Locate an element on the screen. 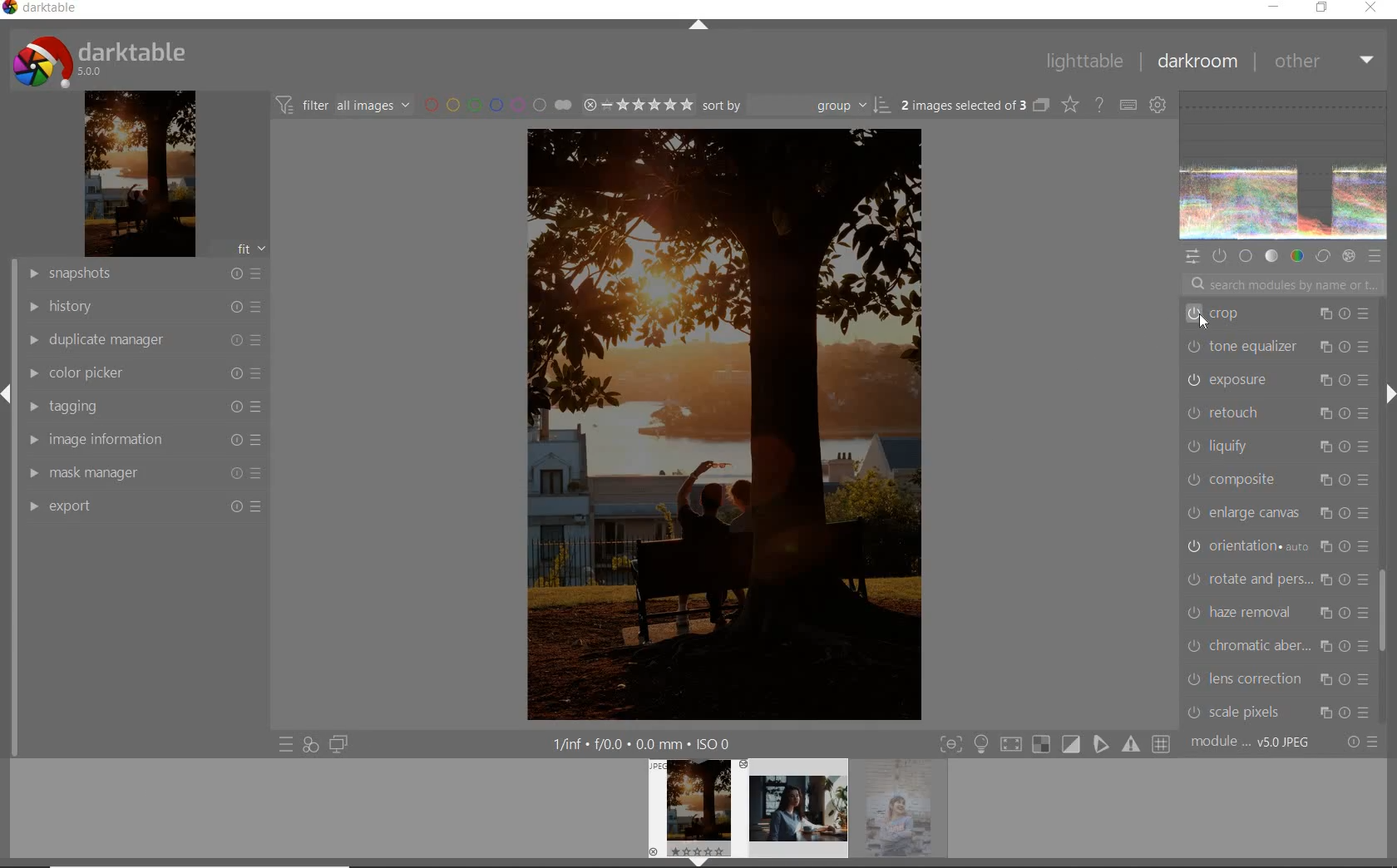  expand/collapse is located at coordinates (8, 392).